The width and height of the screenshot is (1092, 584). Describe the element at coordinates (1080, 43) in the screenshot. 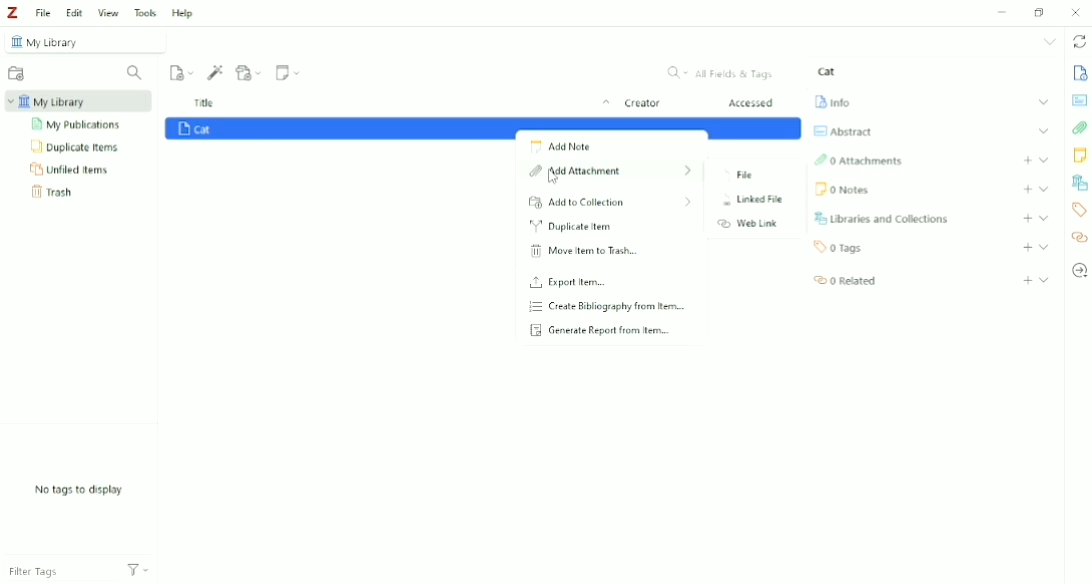

I see `Sync` at that location.